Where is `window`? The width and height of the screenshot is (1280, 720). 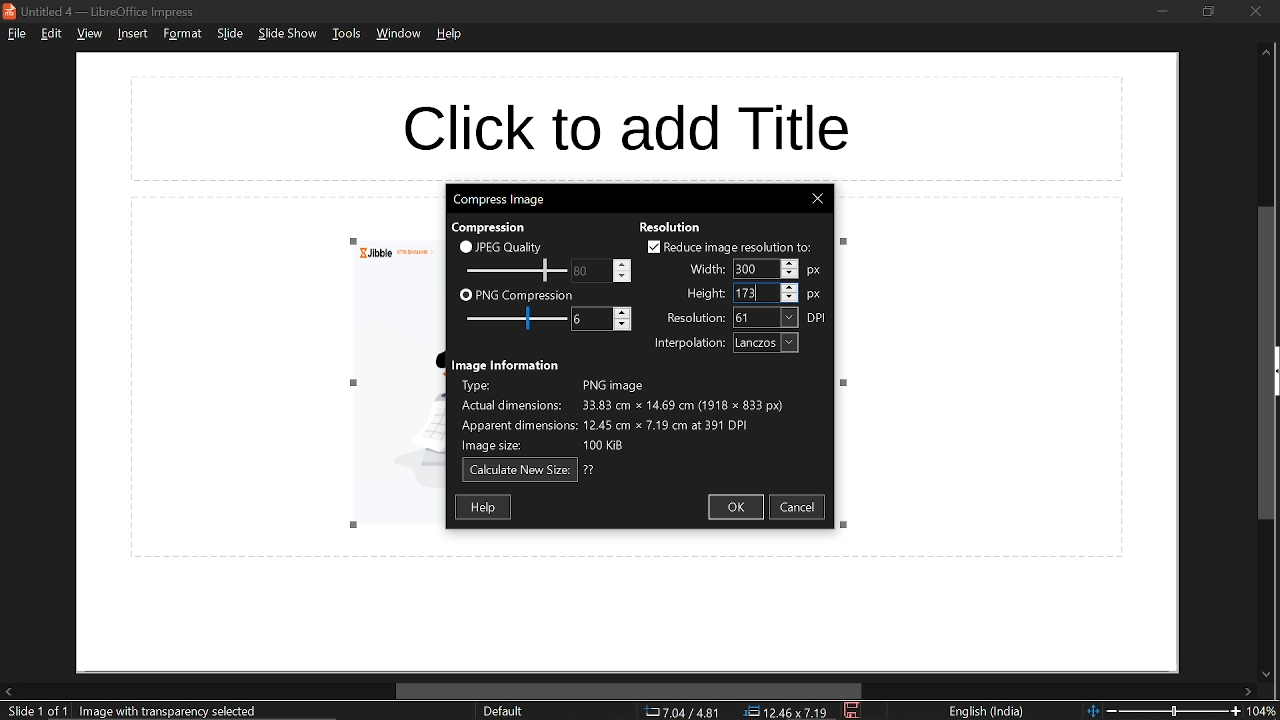
window is located at coordinates (397, 36).